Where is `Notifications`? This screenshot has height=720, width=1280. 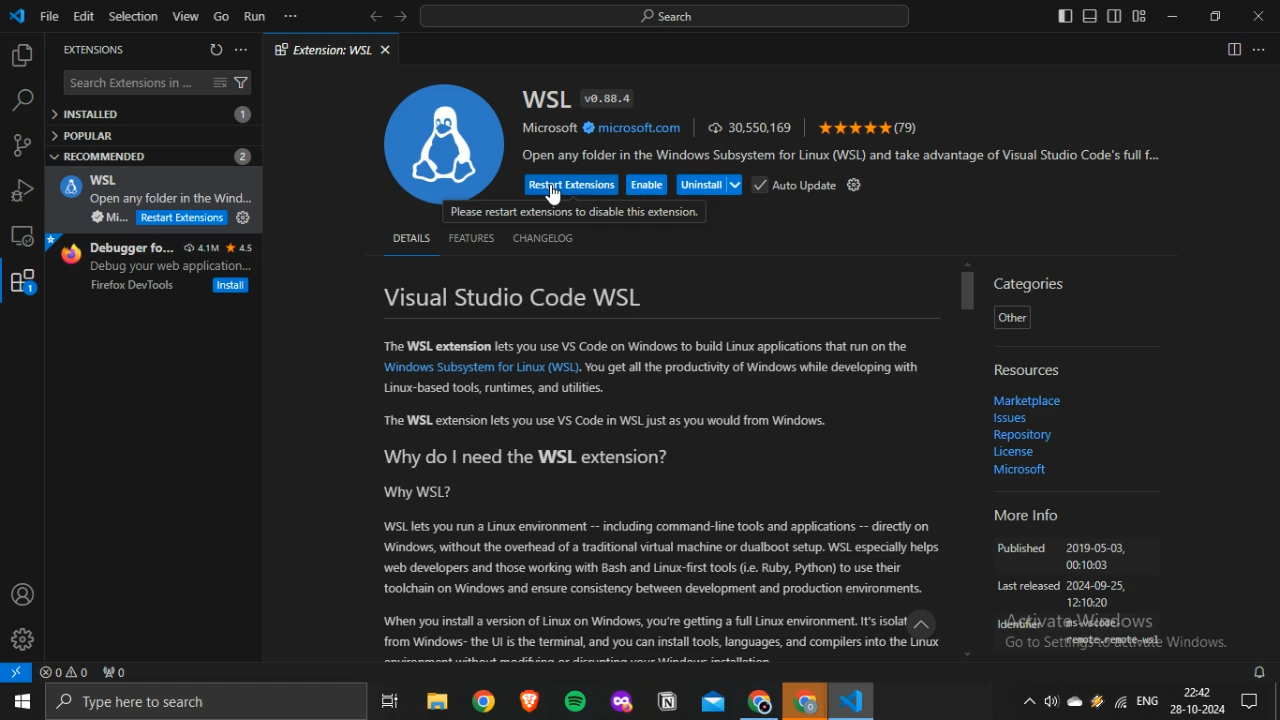
Notifications is located at coordinates (1251, 701).